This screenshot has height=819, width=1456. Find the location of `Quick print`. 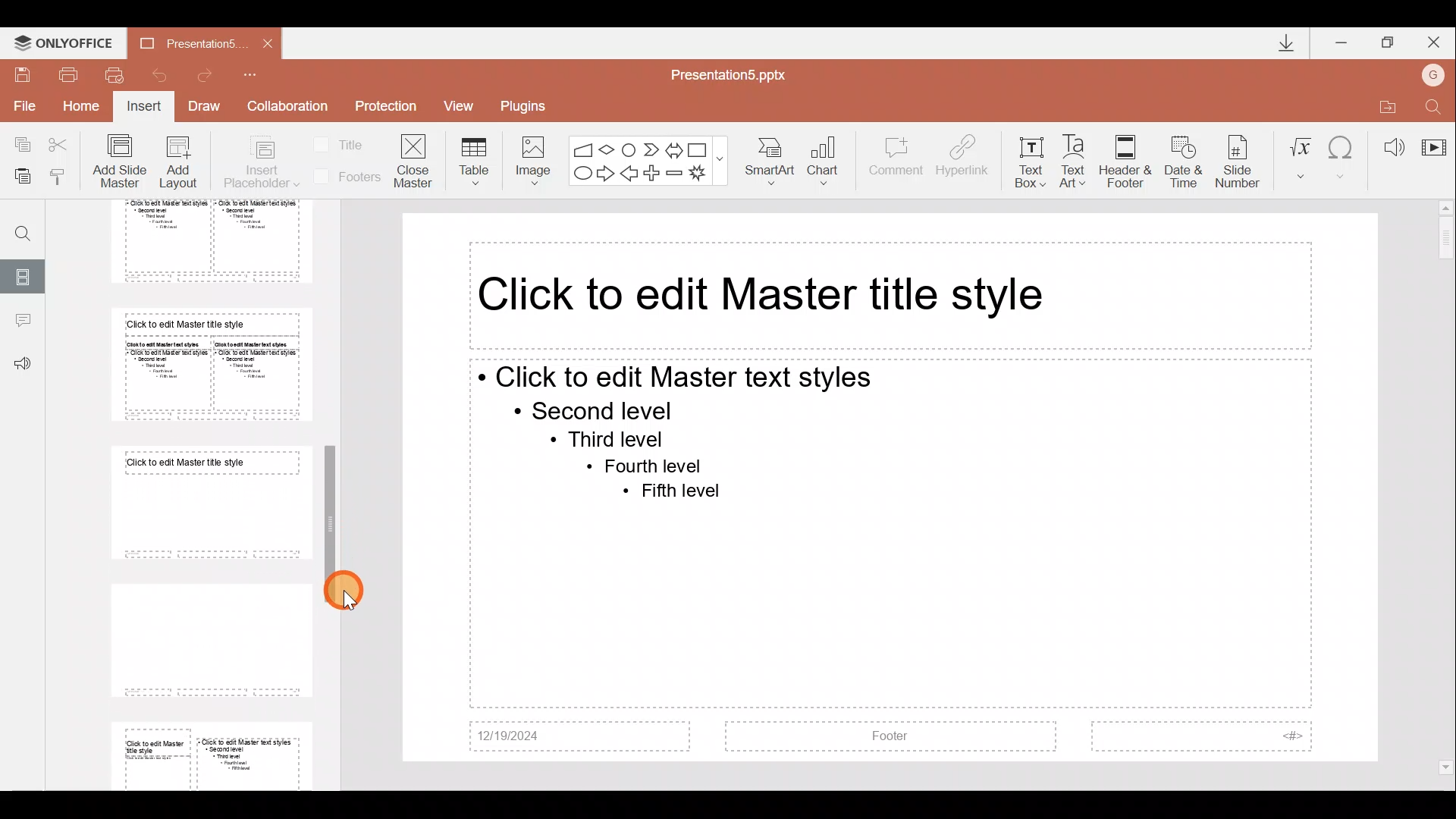

Quick print is located at coordinates (114, 76).